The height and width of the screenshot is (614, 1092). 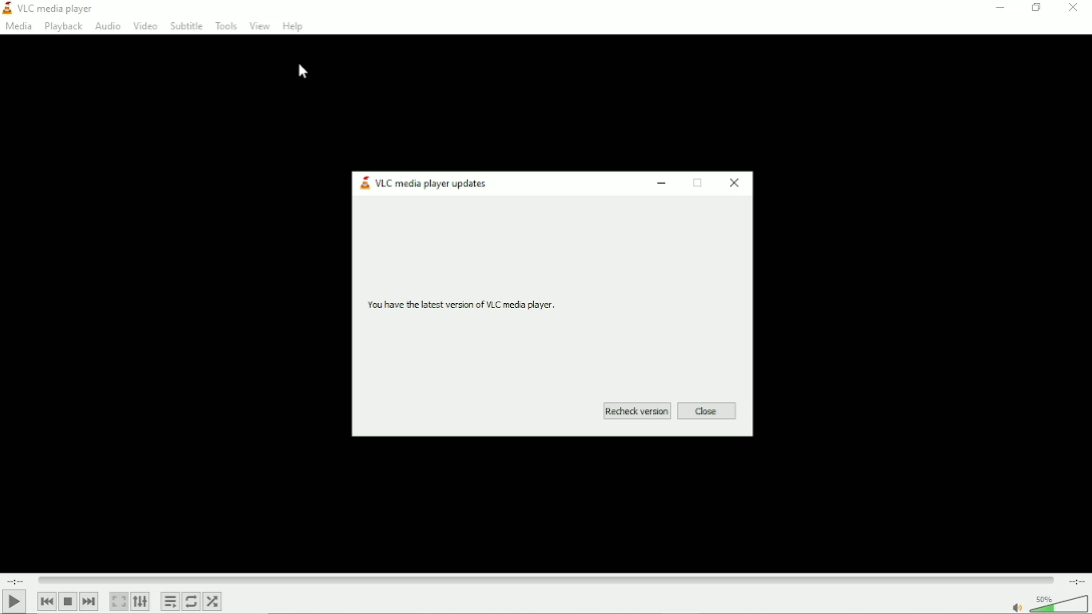 I want to click on Play duration, so click(x=544, y=581).